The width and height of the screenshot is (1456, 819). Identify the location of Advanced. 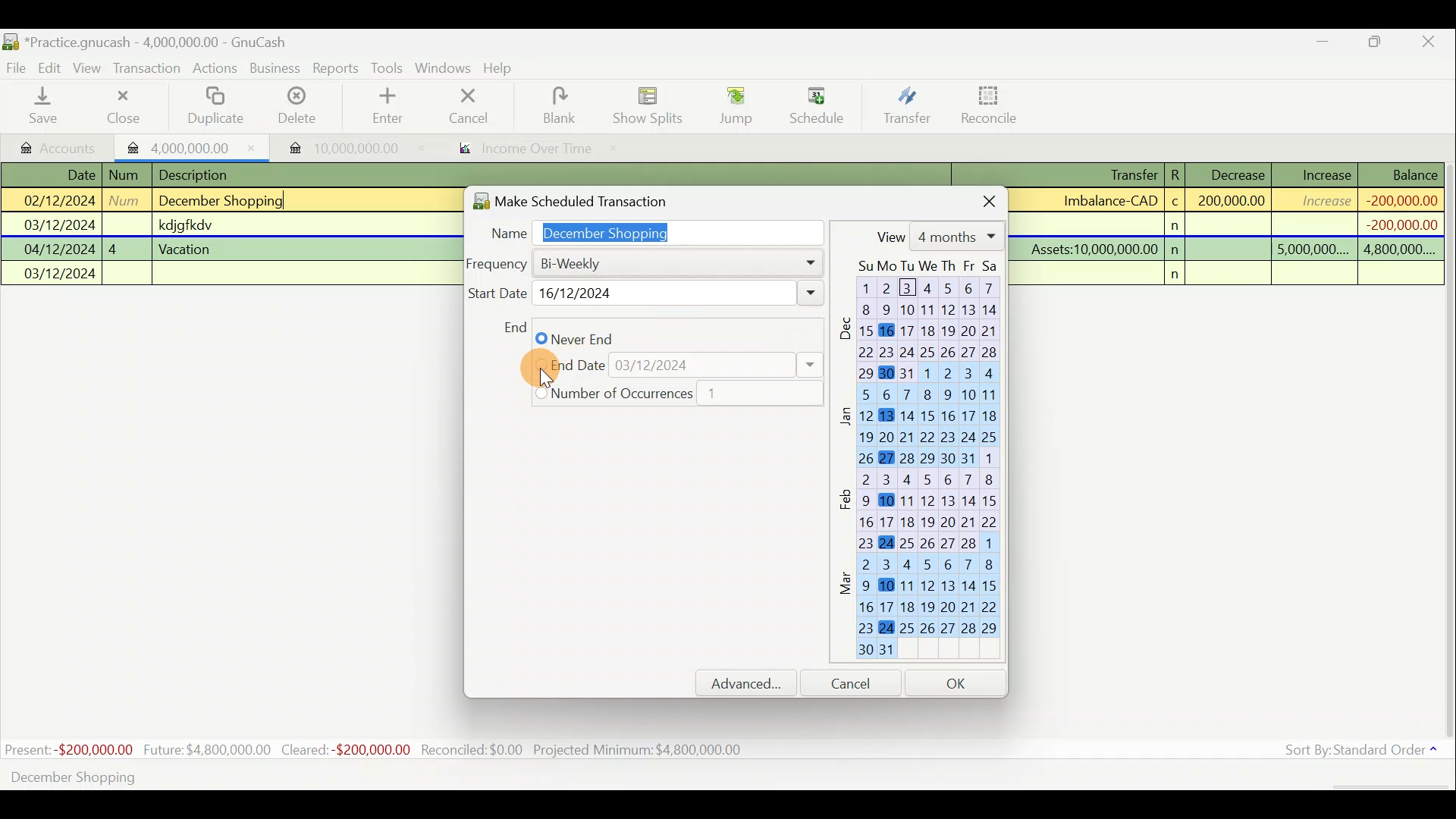
(753, 683).